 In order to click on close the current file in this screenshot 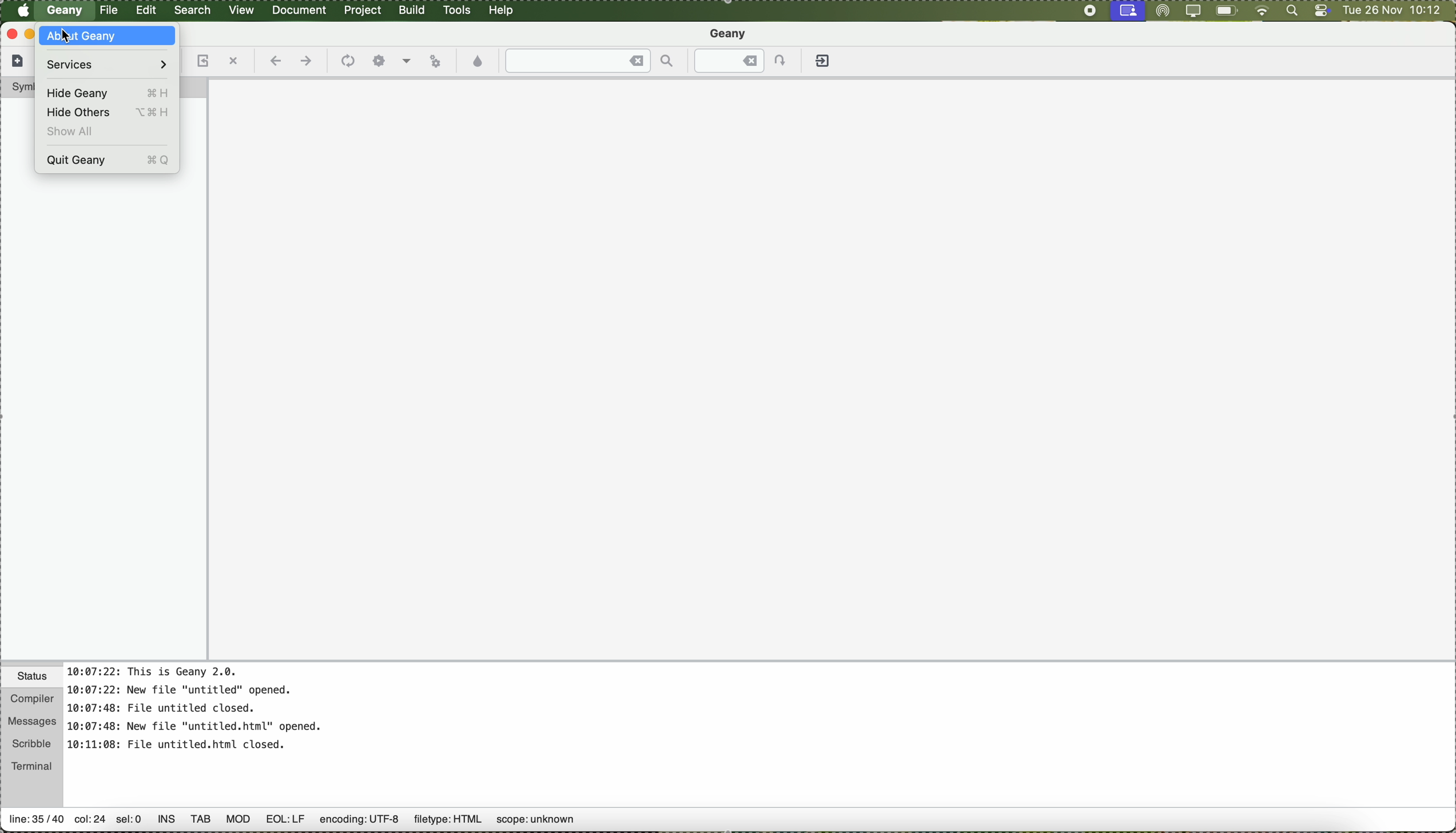, I will do `click(234, 61)`.